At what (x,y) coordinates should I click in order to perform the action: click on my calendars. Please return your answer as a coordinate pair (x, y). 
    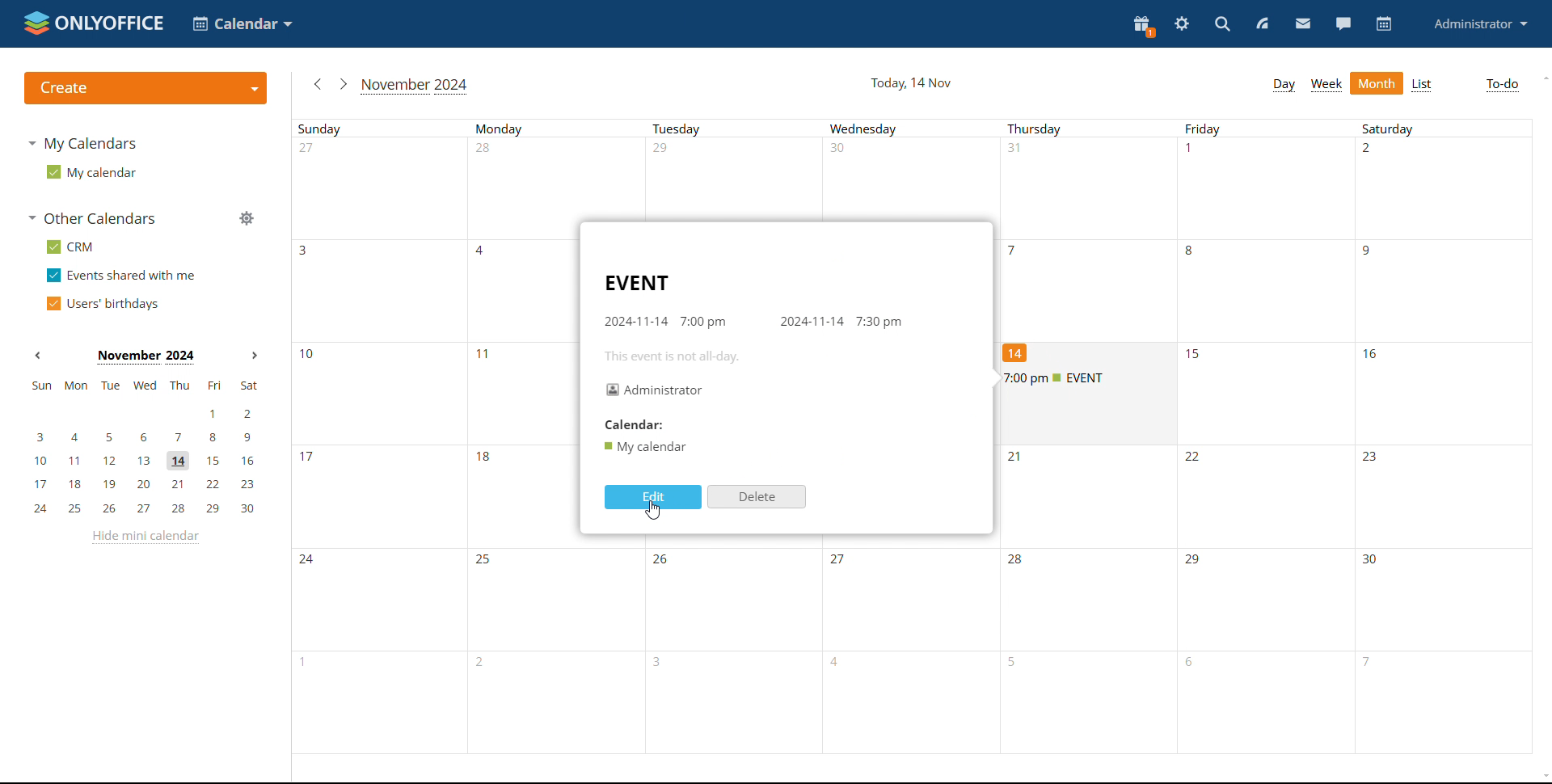
    Looking at the image, I should click on (82, 142).